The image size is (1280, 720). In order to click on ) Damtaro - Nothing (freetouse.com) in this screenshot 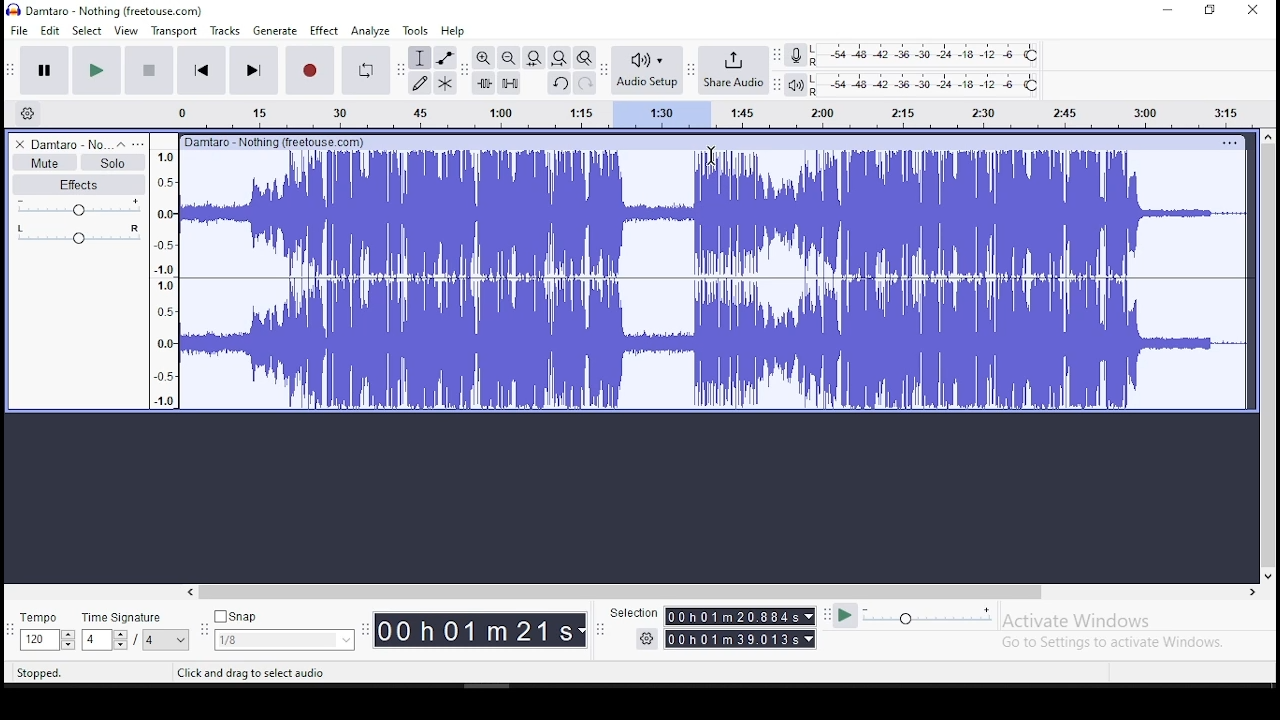, I will do `click(107, 10)`.